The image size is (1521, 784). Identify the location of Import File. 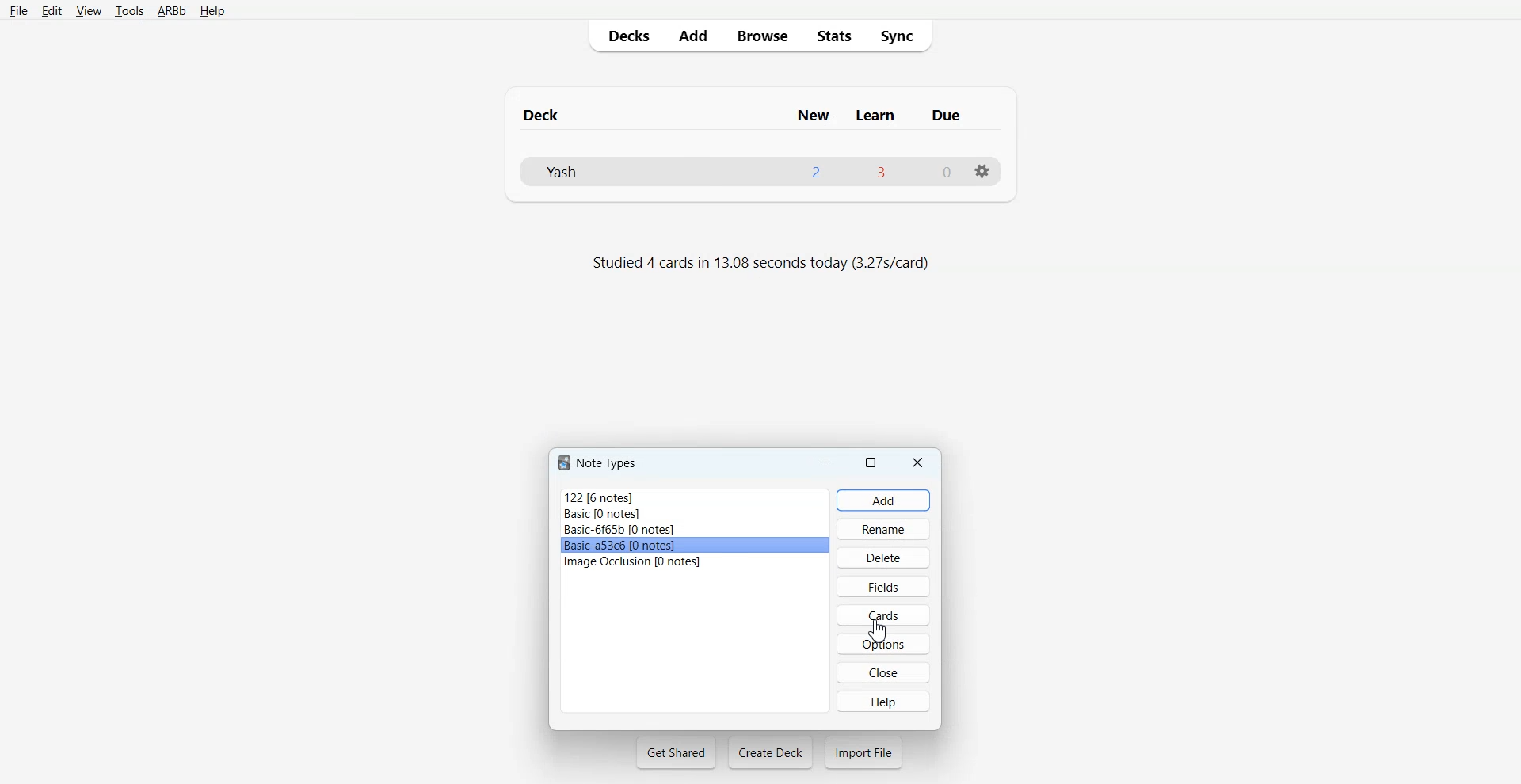
(863, 752).